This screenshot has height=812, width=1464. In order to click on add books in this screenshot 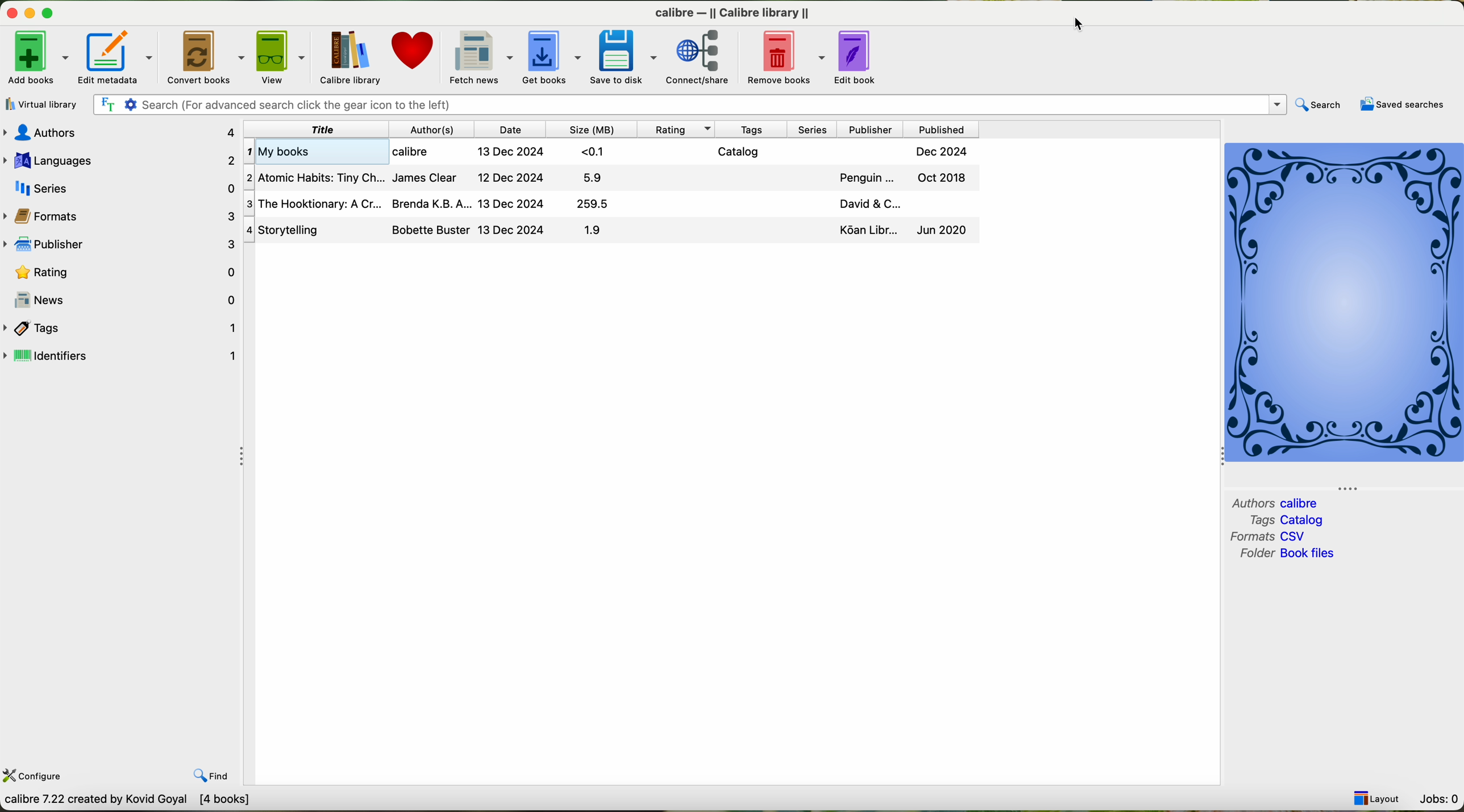, I will do `click(38, 58)`.